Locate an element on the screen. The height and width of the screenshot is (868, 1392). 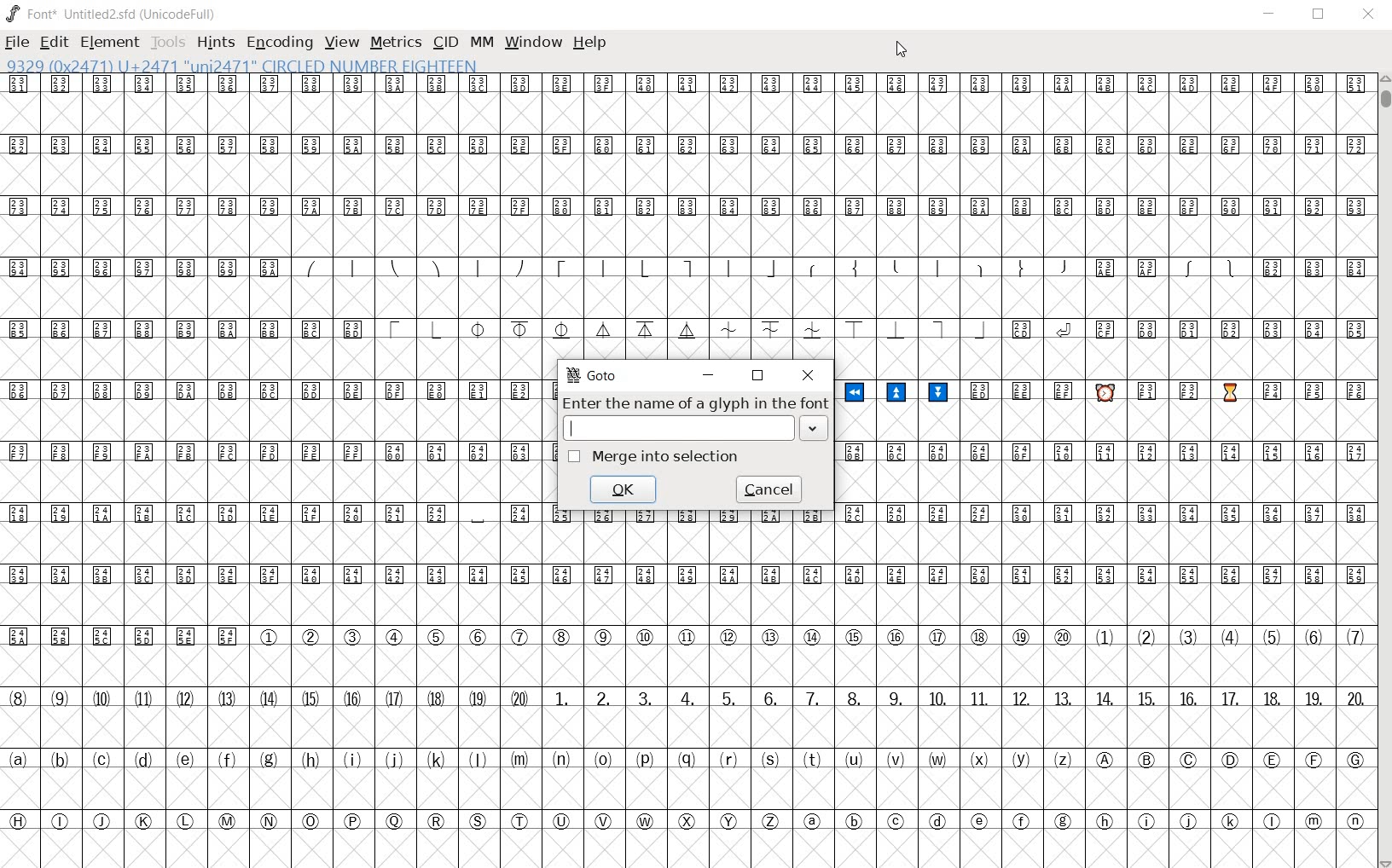
tools is located at coordinates (169, 42).